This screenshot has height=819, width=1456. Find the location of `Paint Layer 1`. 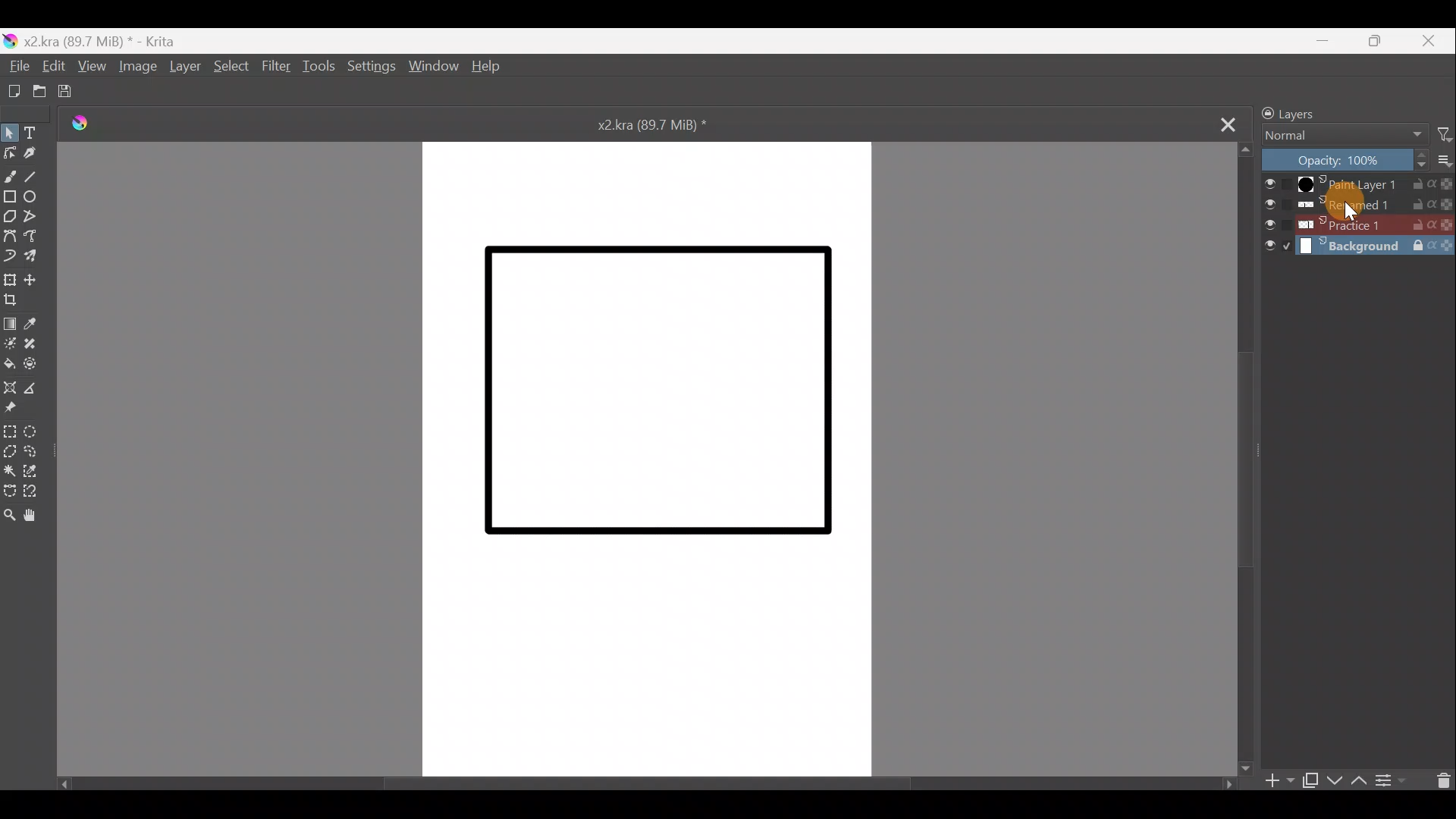

Paint Layer 1 is located at coordinates (1355, 184).